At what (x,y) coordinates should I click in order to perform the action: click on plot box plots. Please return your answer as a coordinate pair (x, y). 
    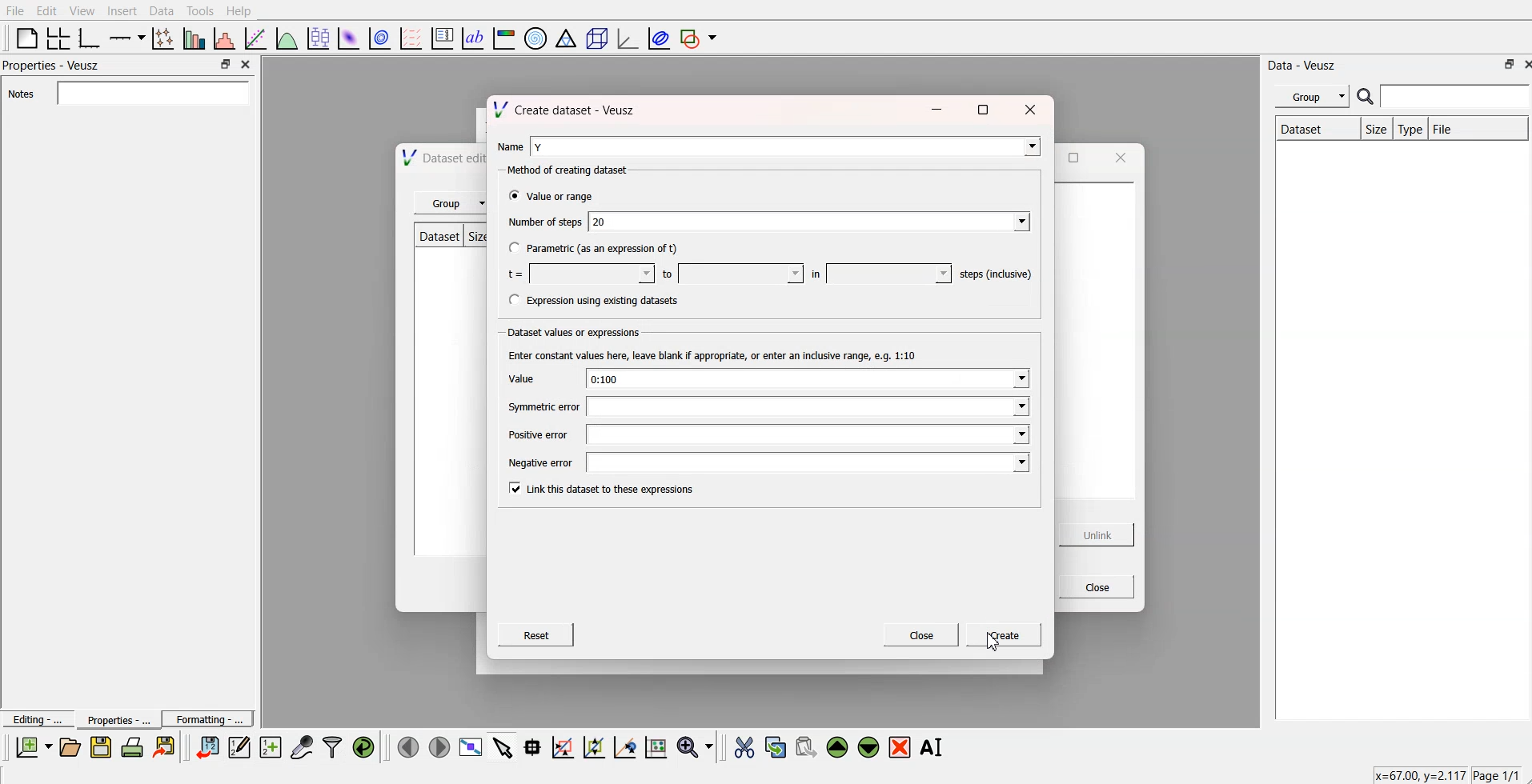
    Looking at the image, I should click on (318, 37).